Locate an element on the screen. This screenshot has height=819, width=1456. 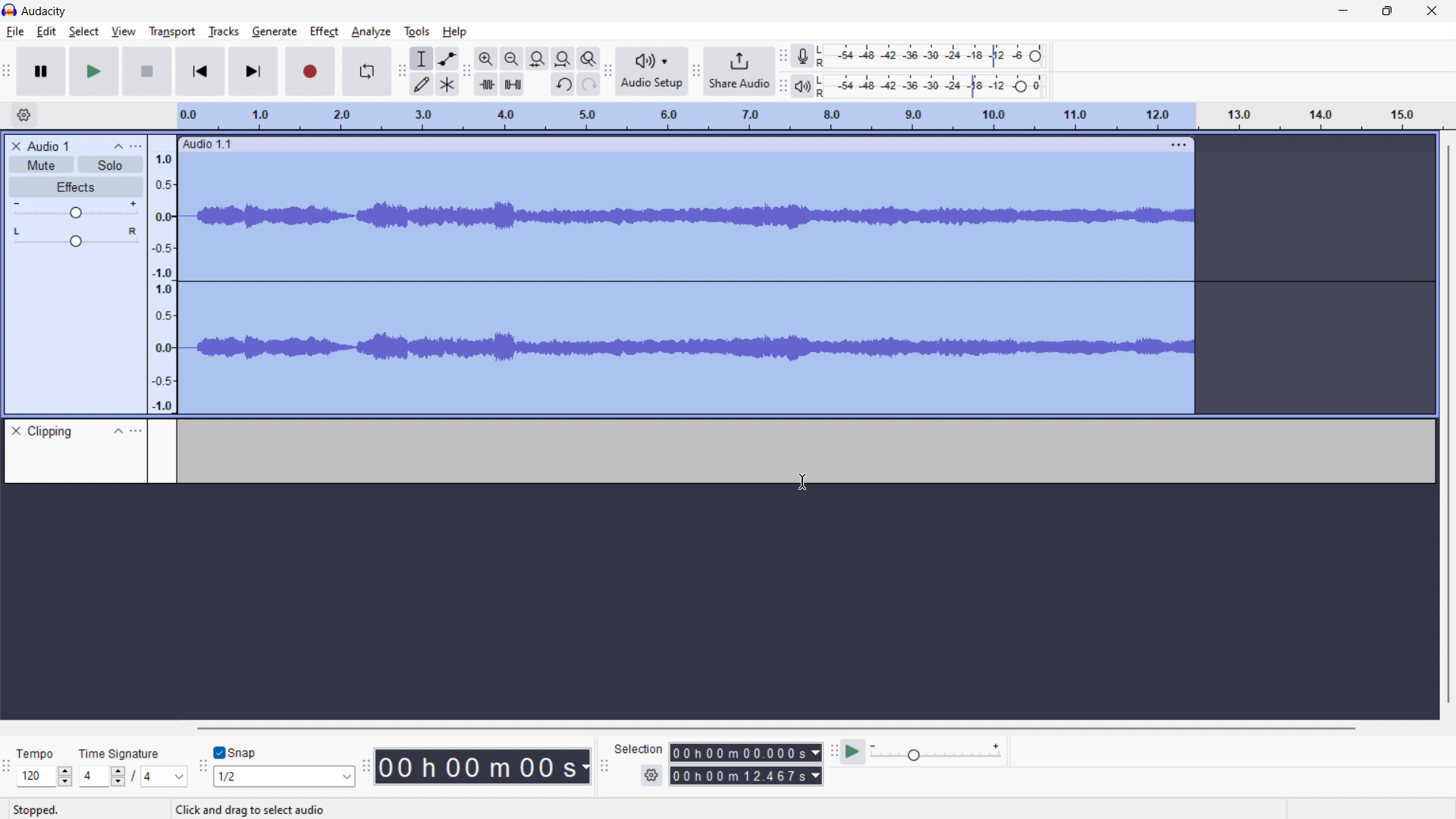
horizontal toolbar is located at coordinates (778, 728).